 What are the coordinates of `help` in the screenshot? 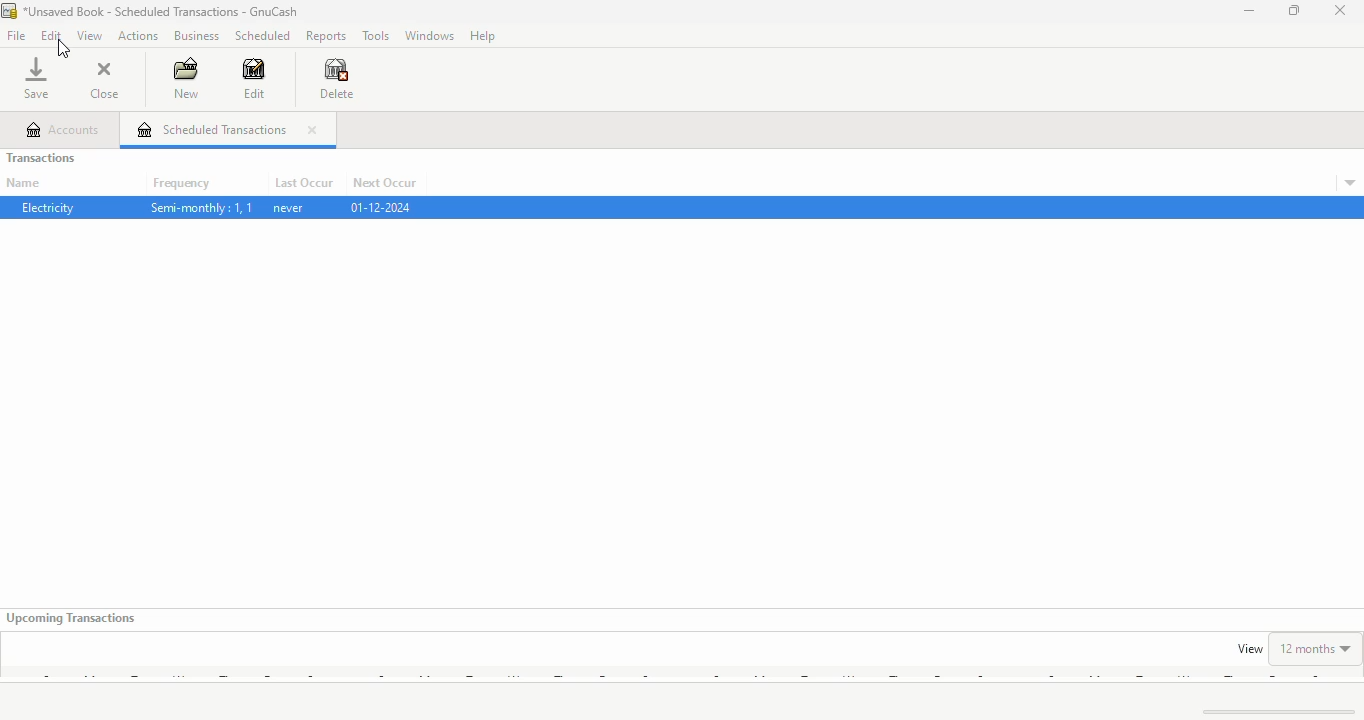 It's located at (483, 36).